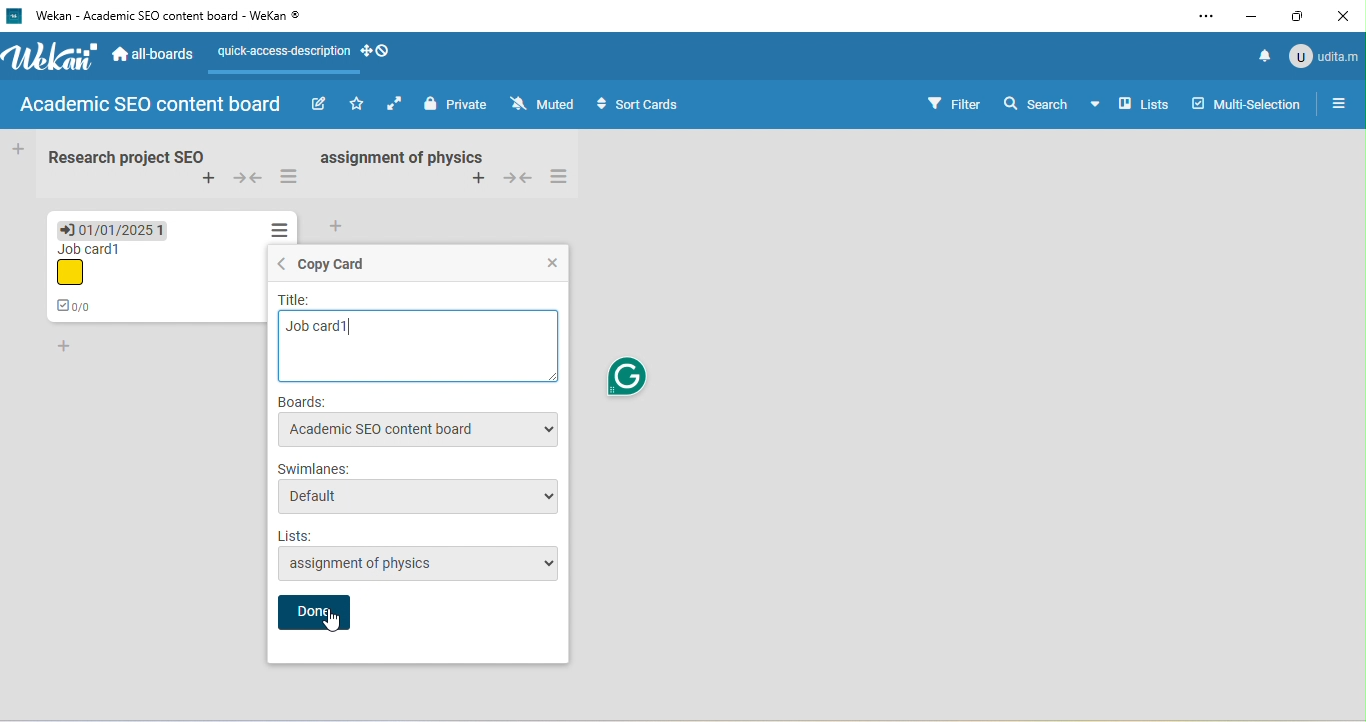  What do you see at coordinates (1051, 101) in the screenshot?
I see `search` at bounding box center [1051, 101].